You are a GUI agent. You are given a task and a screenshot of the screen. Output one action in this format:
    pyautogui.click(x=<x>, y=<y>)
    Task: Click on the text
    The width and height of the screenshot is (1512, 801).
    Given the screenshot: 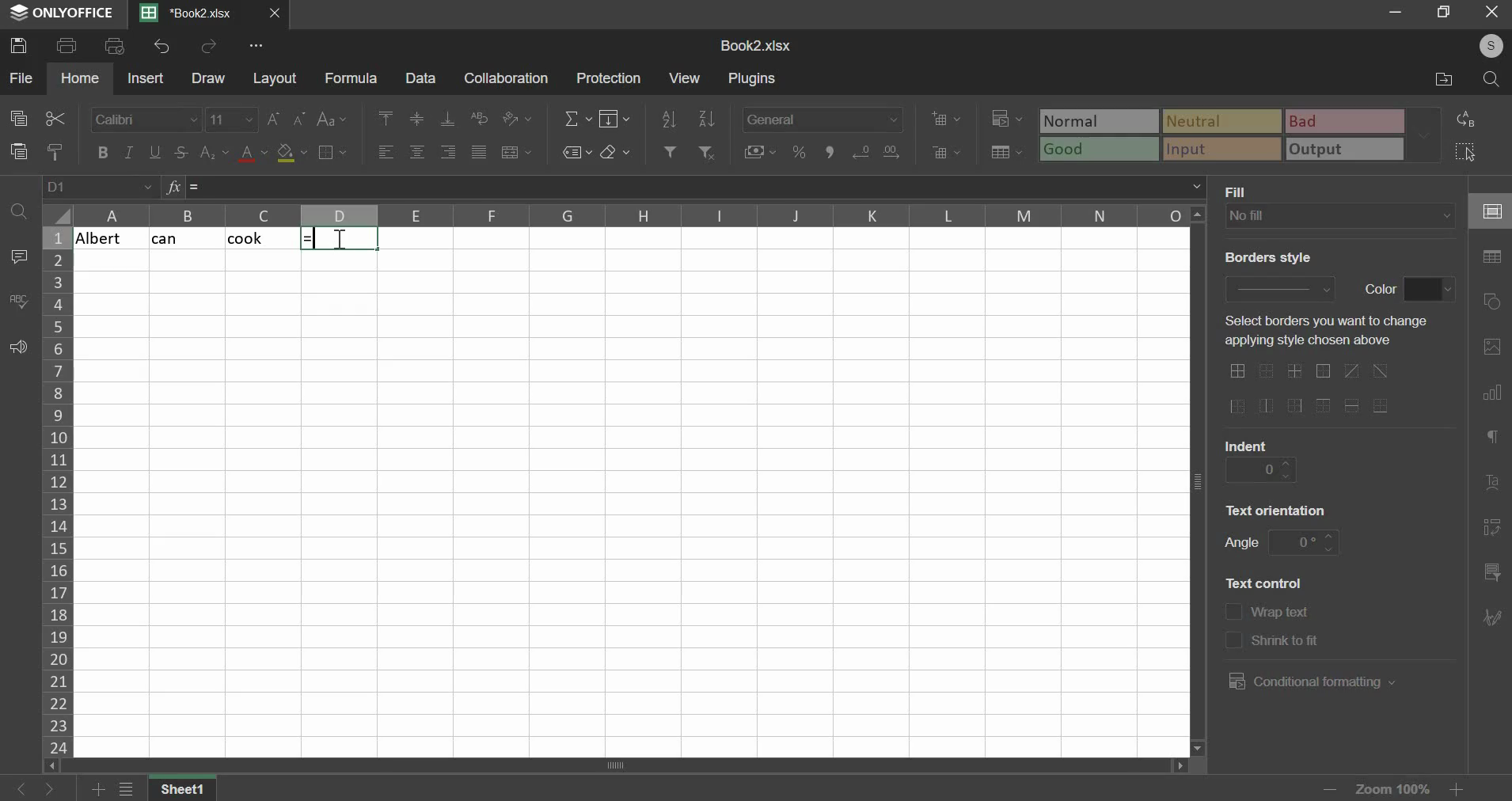 What is the action you would take?
    pyautogui.click(x=1241, y=191)
    